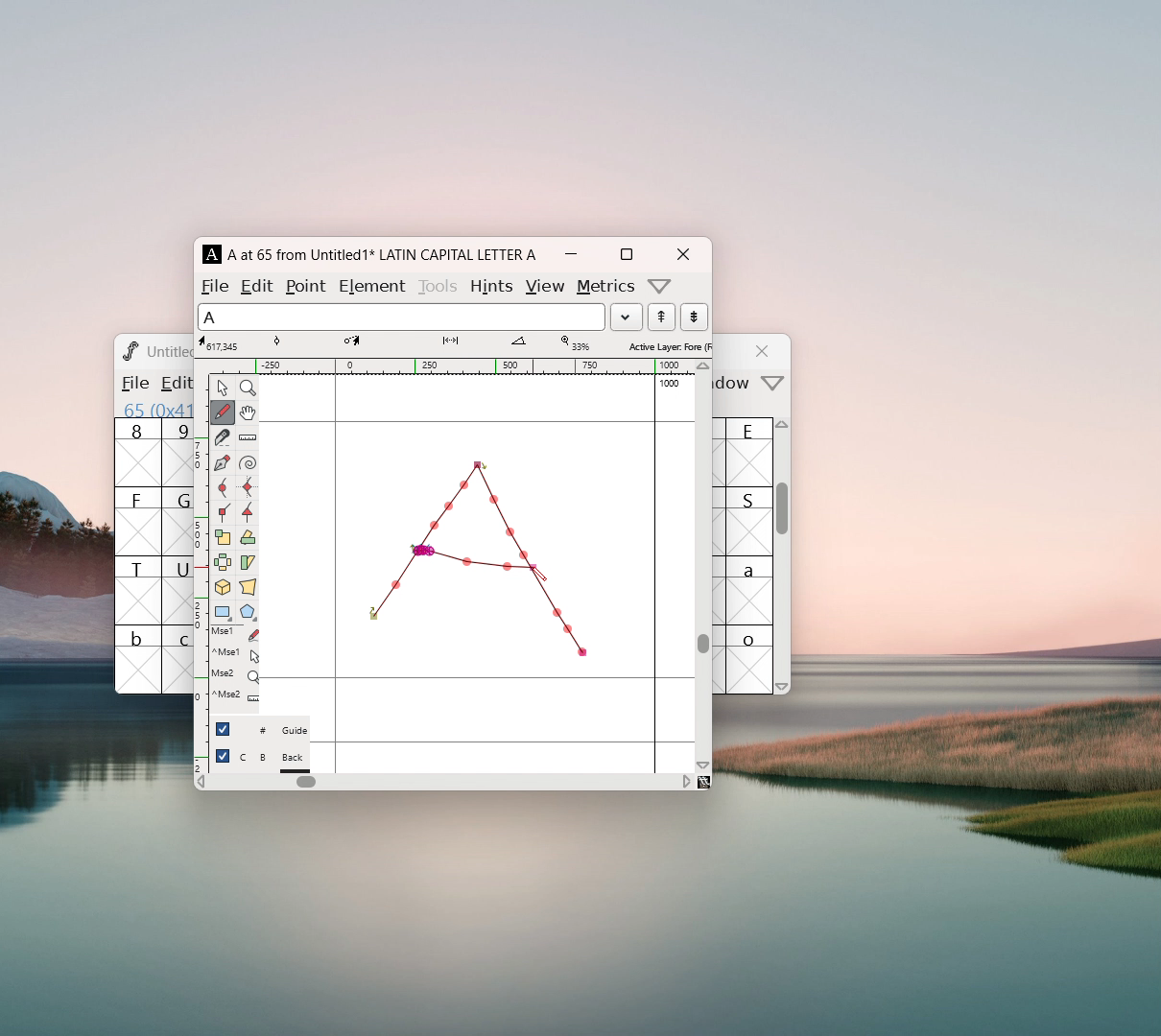  What do you see at coordinates (235, 695) in the screenshot?
I see `^Mse2` at bounding box center [235, 695].